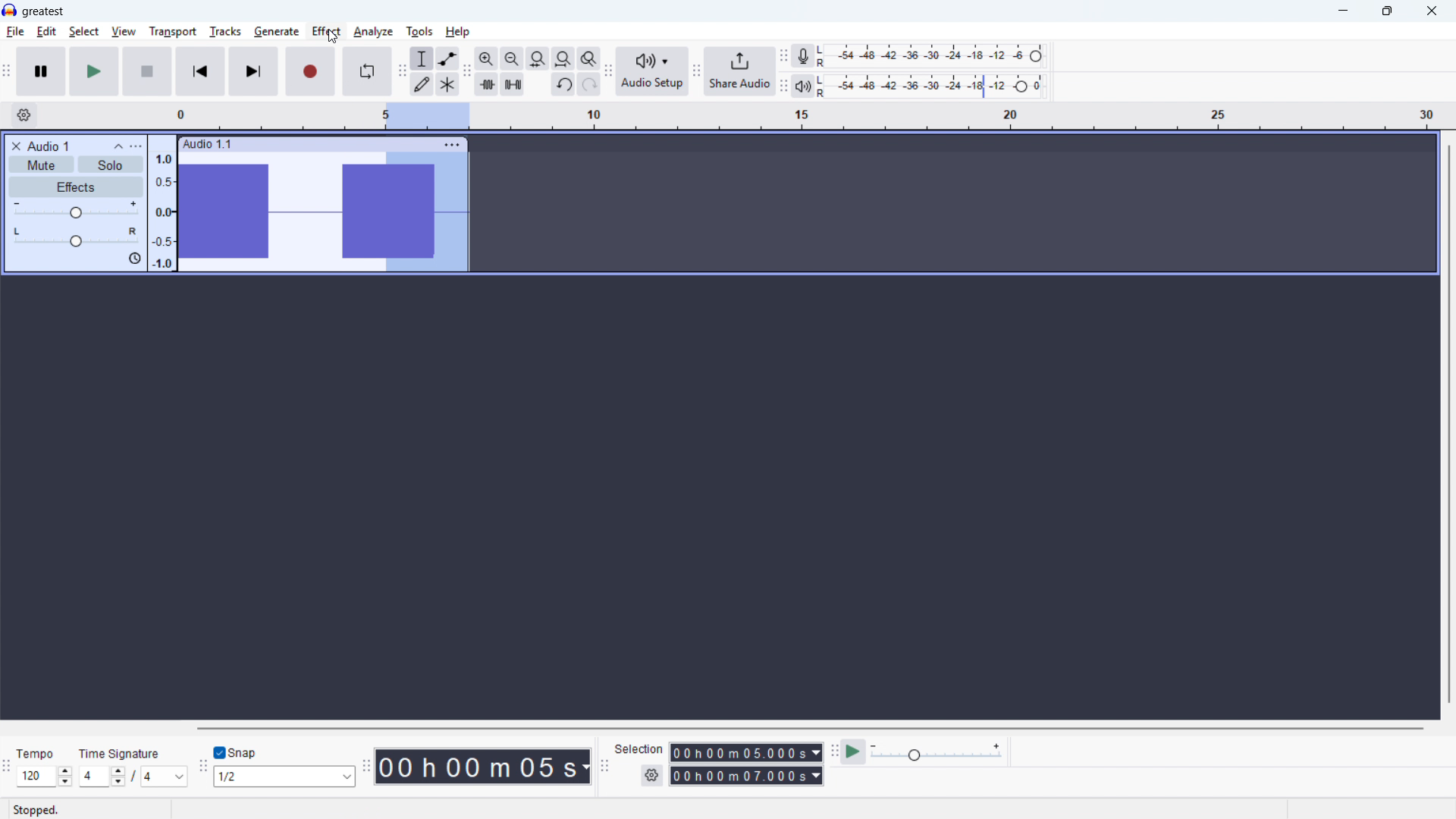  What do you see at coordinates (485, 767) in the screenshot?
I see `Timestamp ` at bounding box center [485, 767].